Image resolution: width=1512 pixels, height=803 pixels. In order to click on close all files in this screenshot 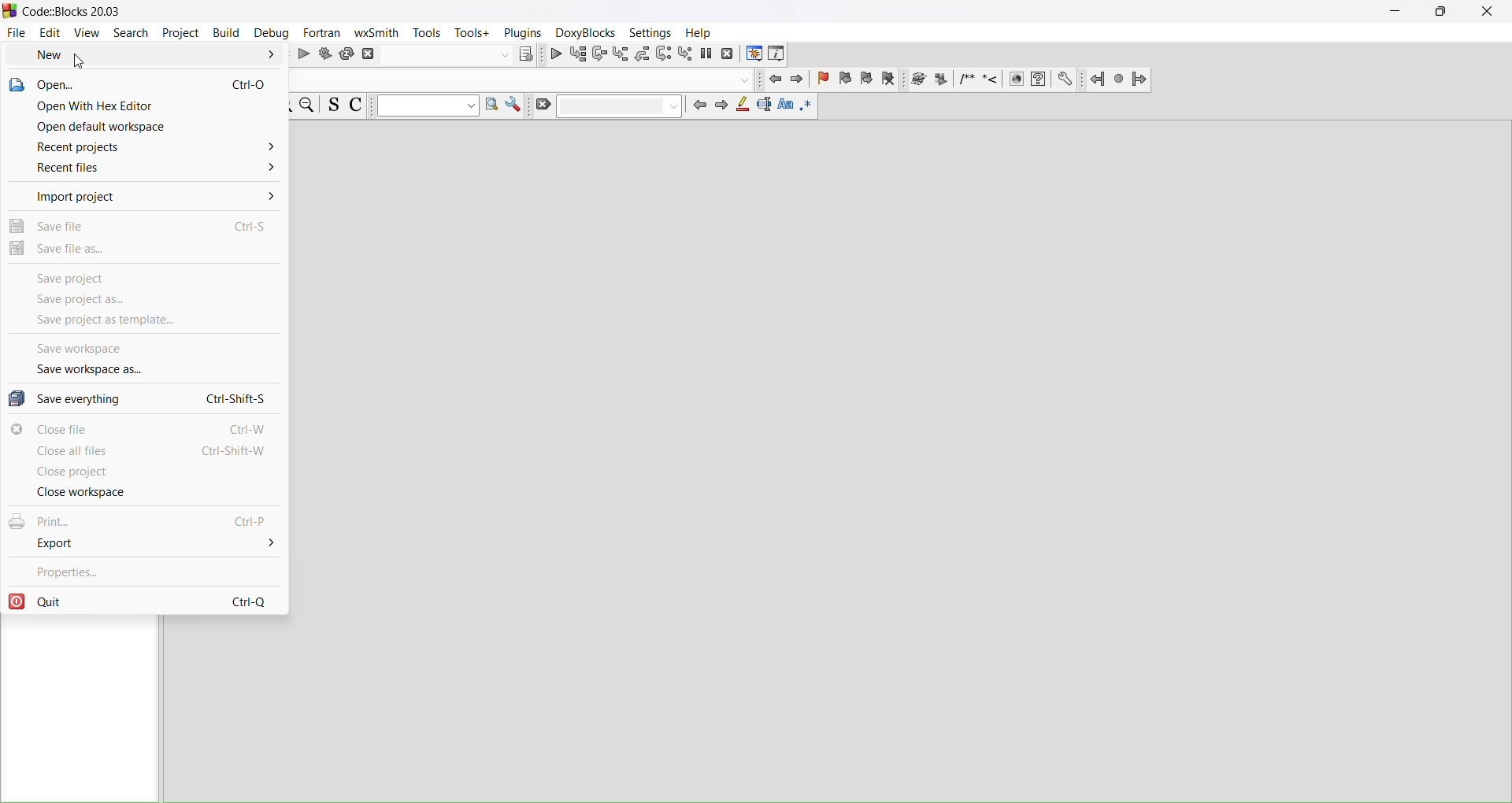, I will do `click(144, 452)`.